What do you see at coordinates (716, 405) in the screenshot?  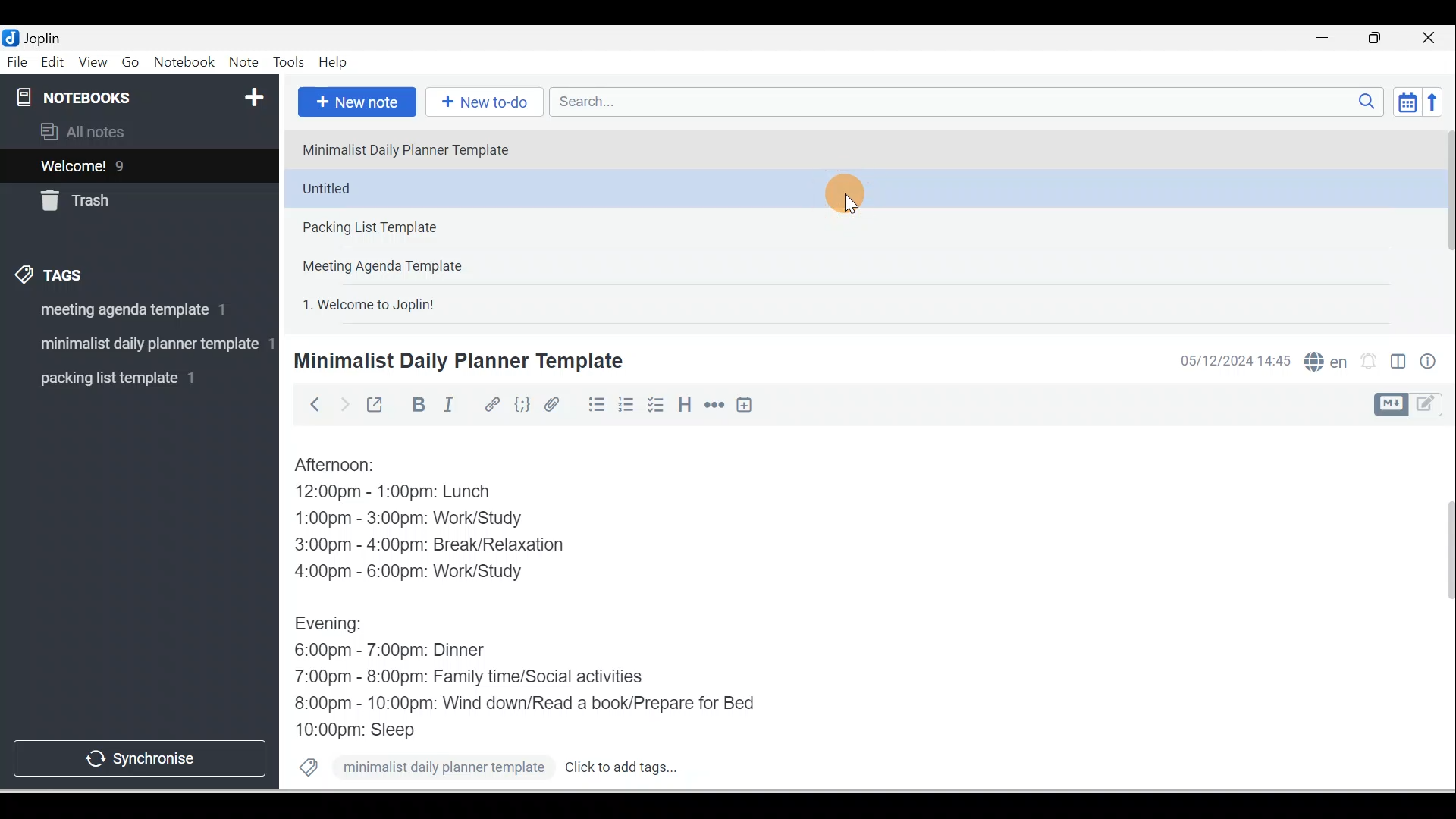 I see `Horizontal rule` at bounding box center [716, 405].